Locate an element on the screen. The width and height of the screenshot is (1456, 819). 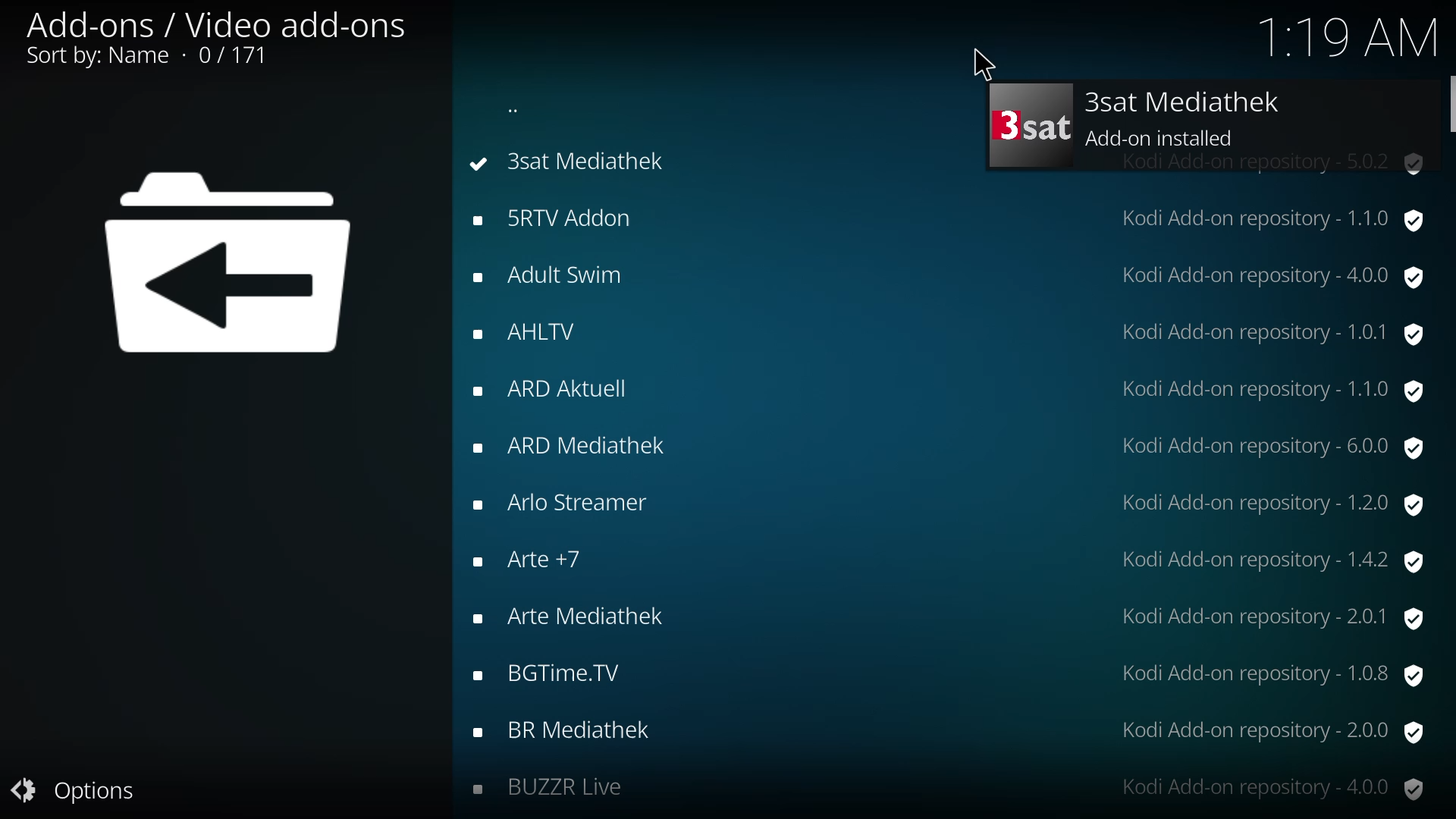
add-ons is located at coordinates (573, 444).